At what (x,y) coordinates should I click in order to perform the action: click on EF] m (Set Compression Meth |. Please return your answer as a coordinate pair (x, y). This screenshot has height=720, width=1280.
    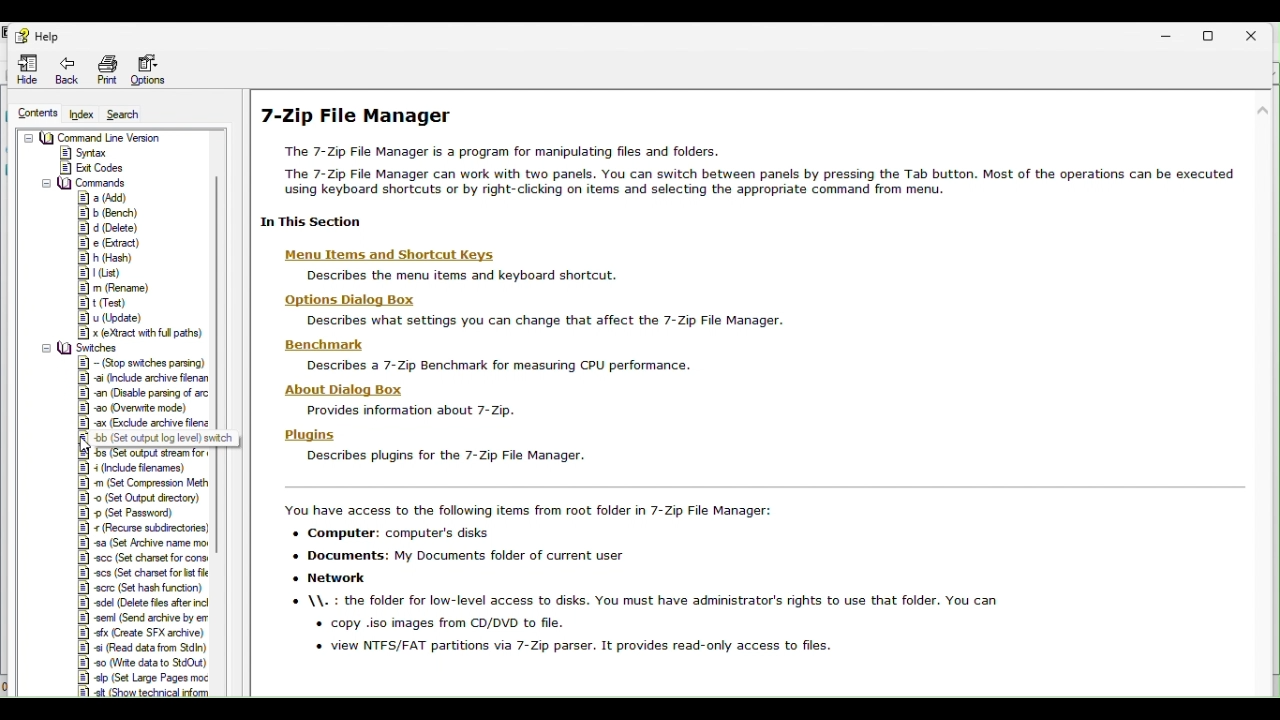
    Looking at the image, I should click on (147, 483).